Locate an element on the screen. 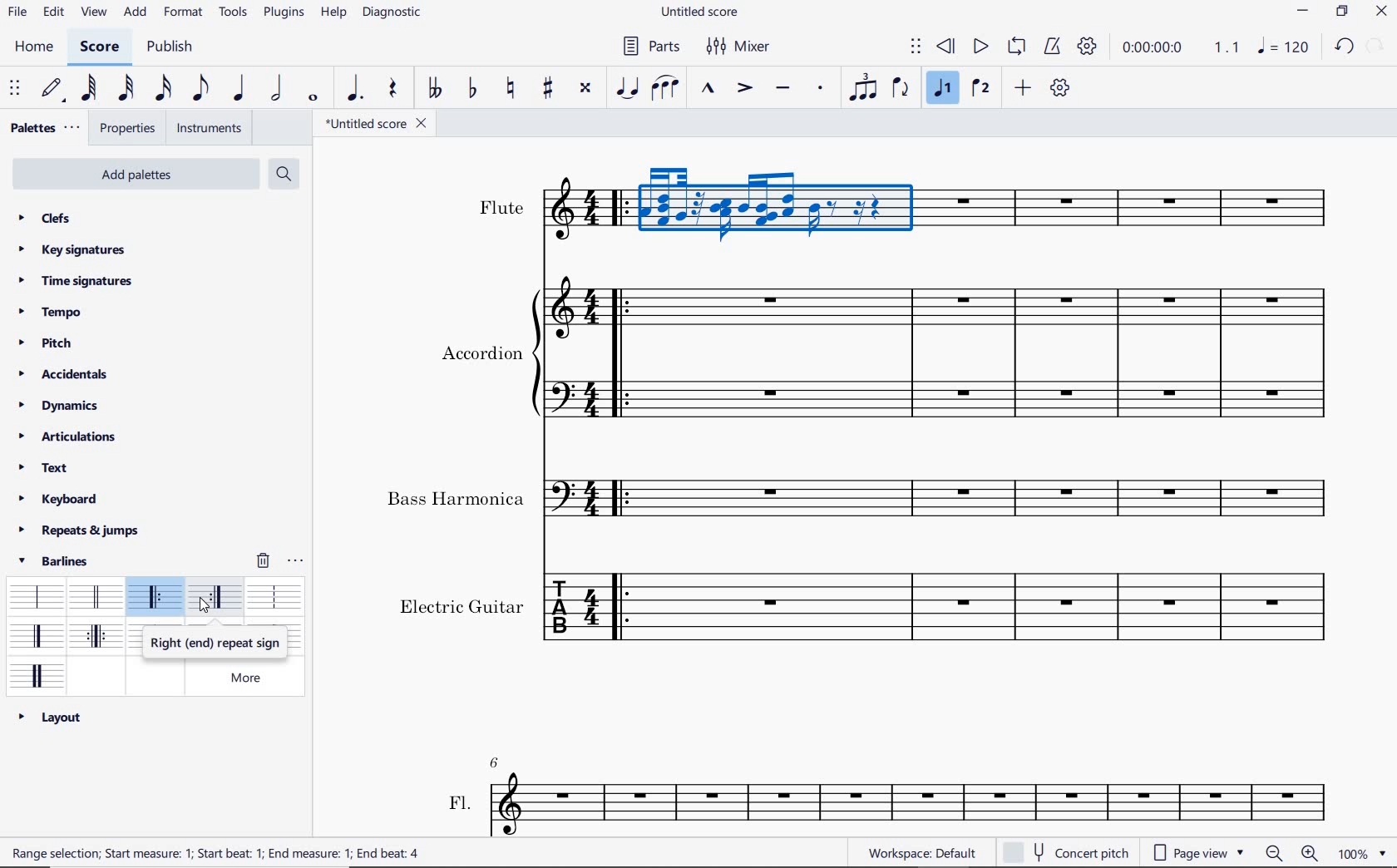 The image size is (1397, 868). tenuto is located at coordinates (782, 88).